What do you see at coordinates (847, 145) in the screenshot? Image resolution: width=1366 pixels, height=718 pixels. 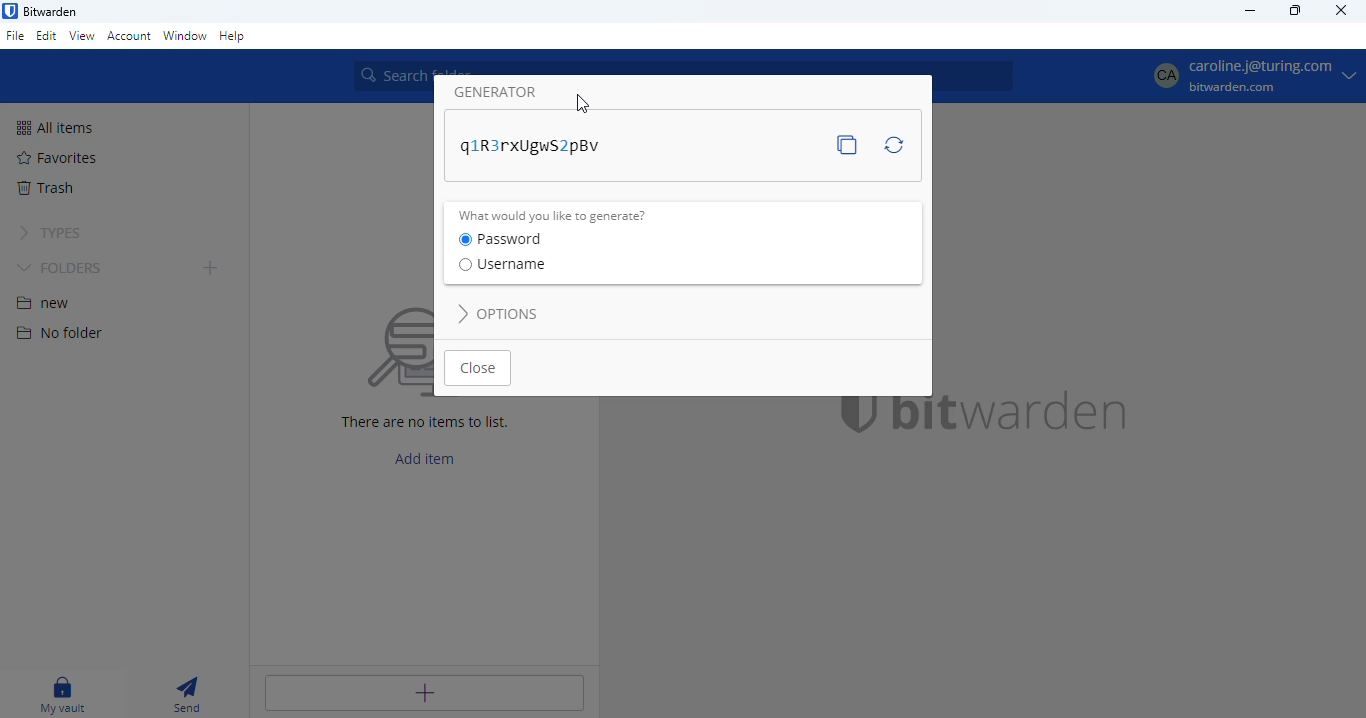 I see `copy password` at bounding box center [847, 145].